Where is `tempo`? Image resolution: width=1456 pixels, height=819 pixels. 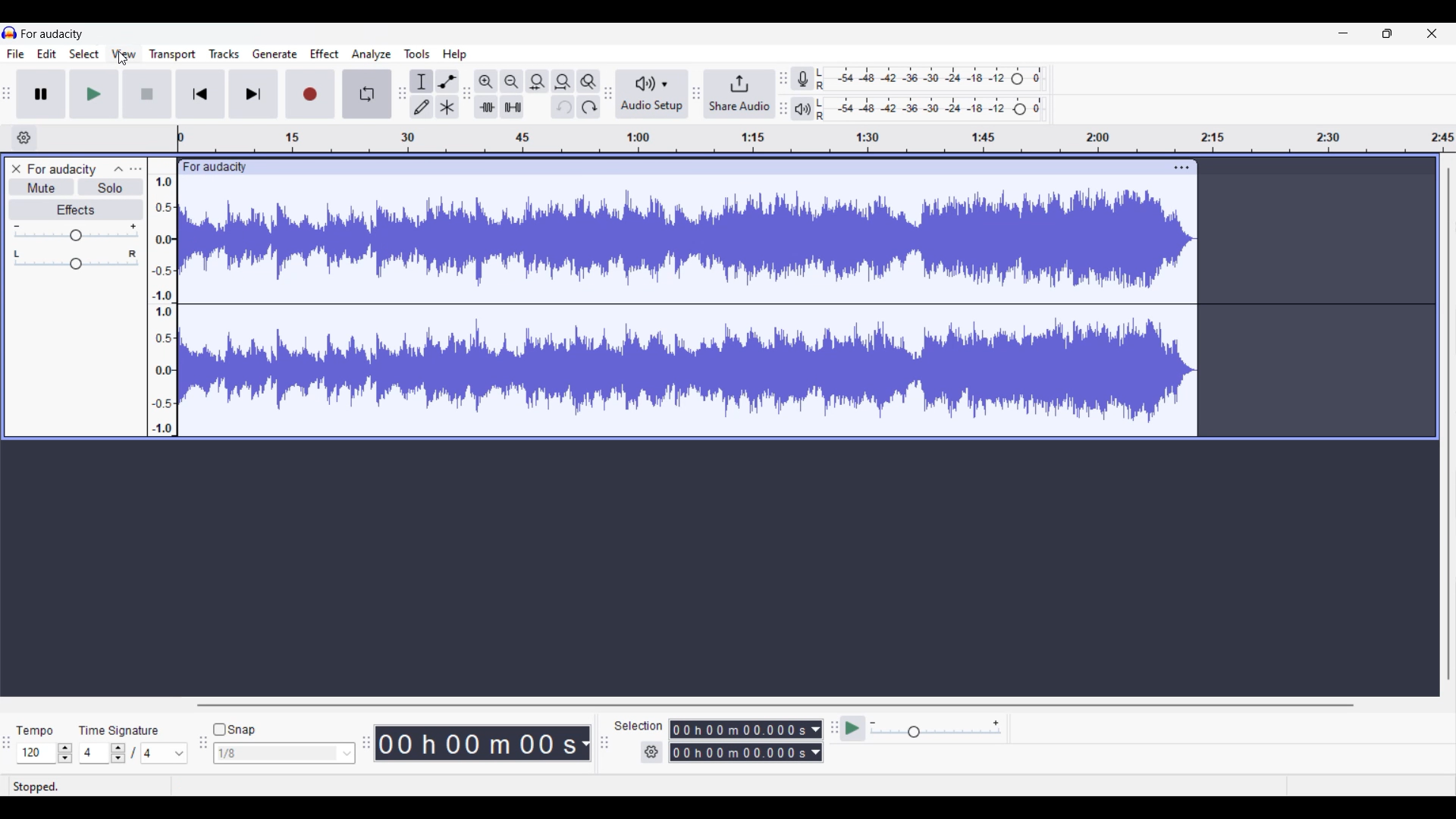 tempo is located at coordinates (35, 731).